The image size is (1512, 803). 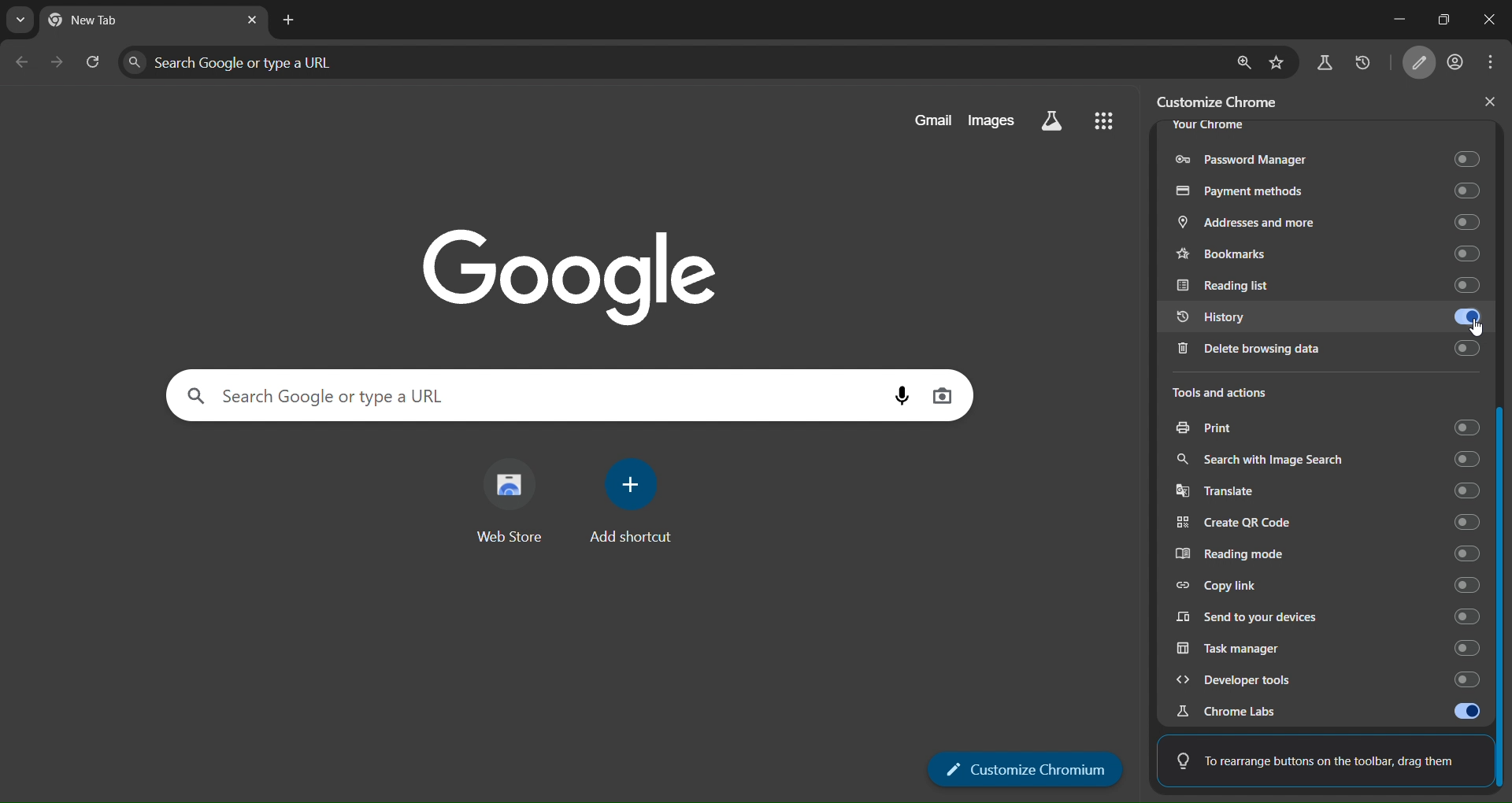 What do you see at coordinates (1326, 460) in the screenshot?
I see `search with image search` at bounding box center [1326, 460].